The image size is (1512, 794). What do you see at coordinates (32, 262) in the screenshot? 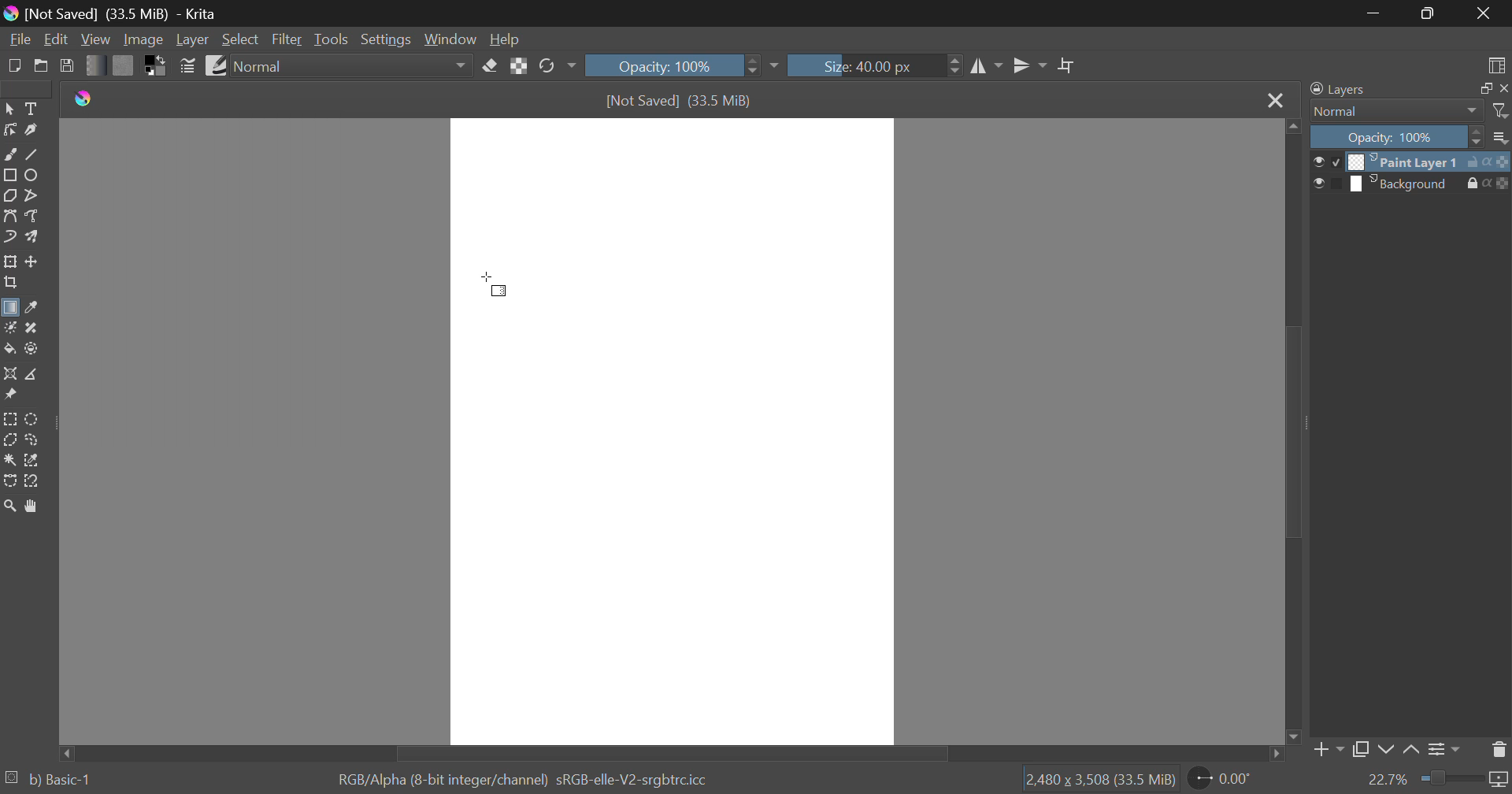
I see `Move Layer` at bounding box center [32, 262].